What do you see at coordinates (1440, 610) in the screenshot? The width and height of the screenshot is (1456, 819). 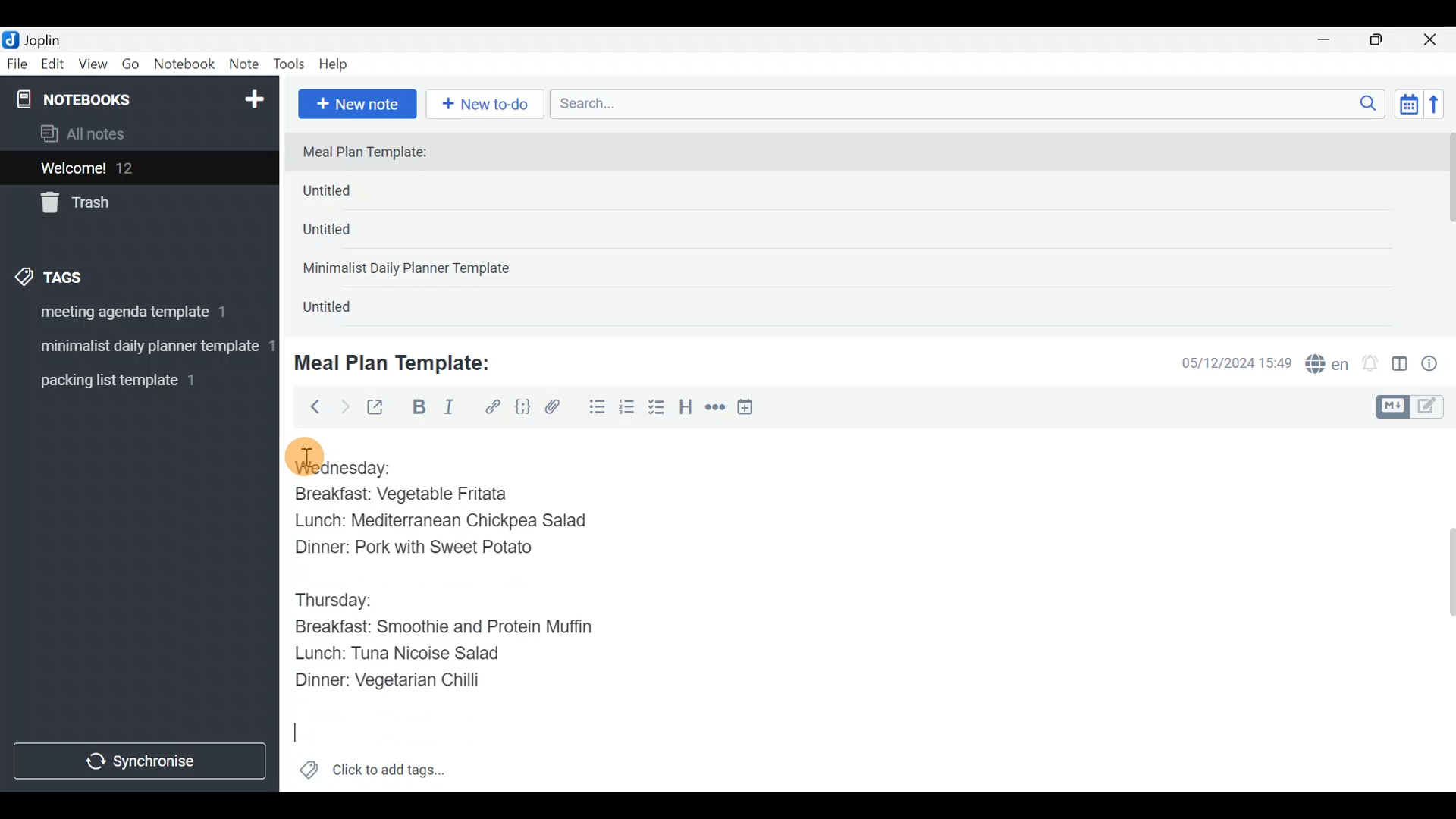 I see `Scroll bar` at bounding box center [1440, 610].